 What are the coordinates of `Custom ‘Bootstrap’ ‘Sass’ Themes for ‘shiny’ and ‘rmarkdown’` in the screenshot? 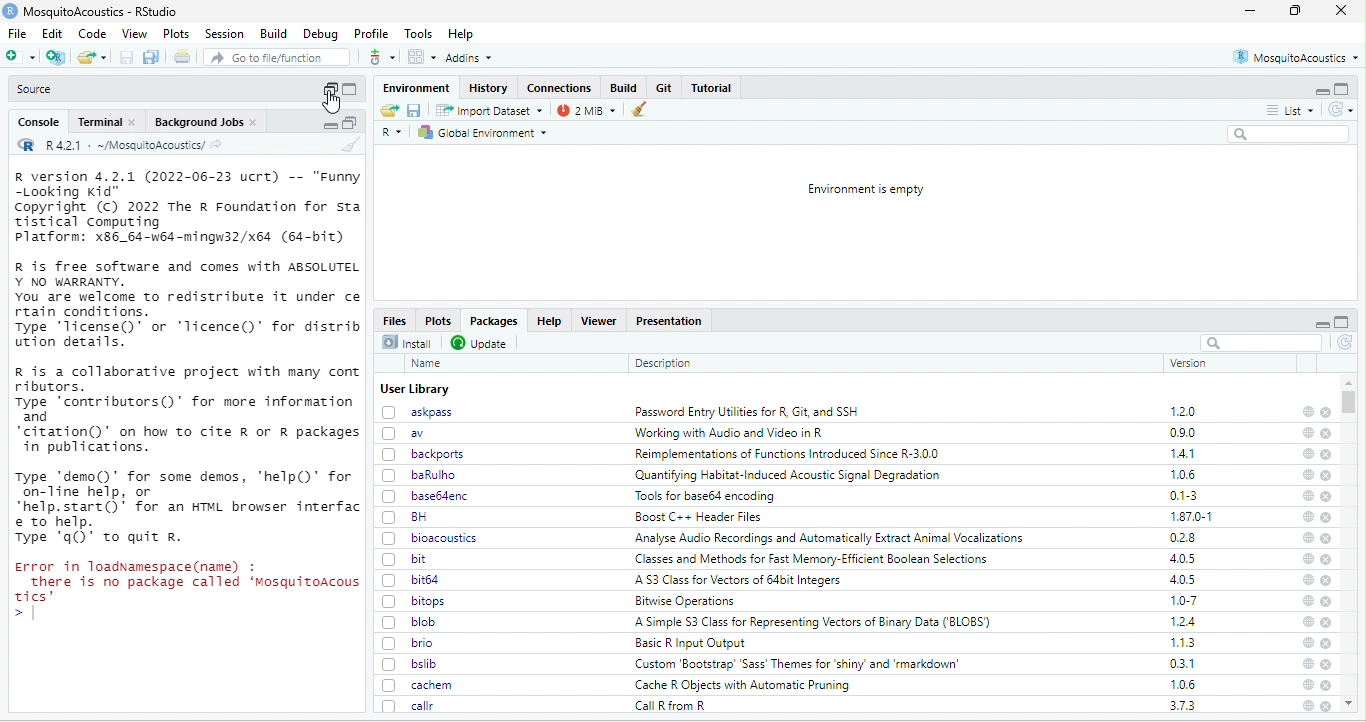 It's located at (801, 663).